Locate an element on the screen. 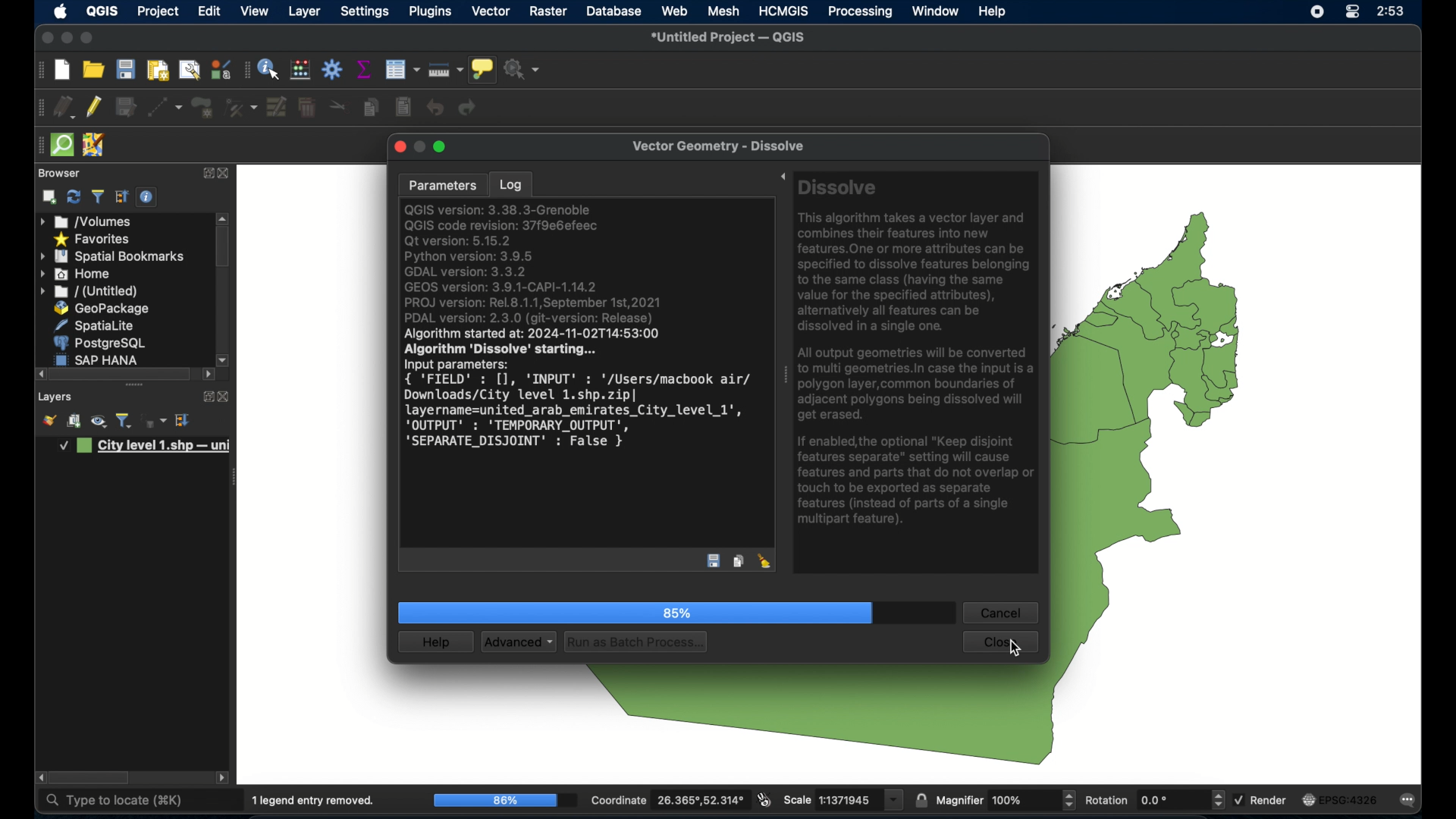  screen recorder icon is located at coordinates (1316, 13).